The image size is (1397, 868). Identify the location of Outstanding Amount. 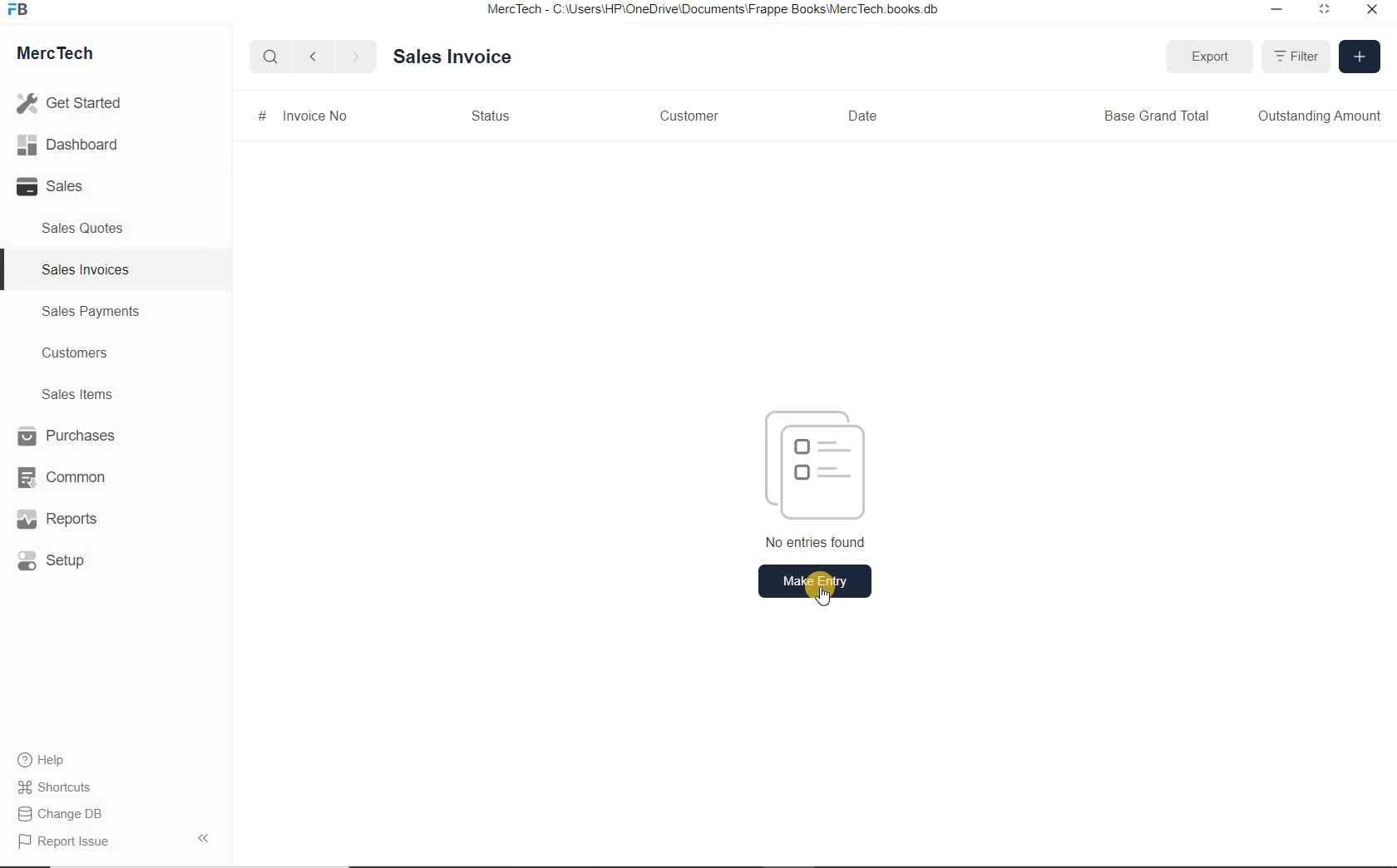
(1320, 116).